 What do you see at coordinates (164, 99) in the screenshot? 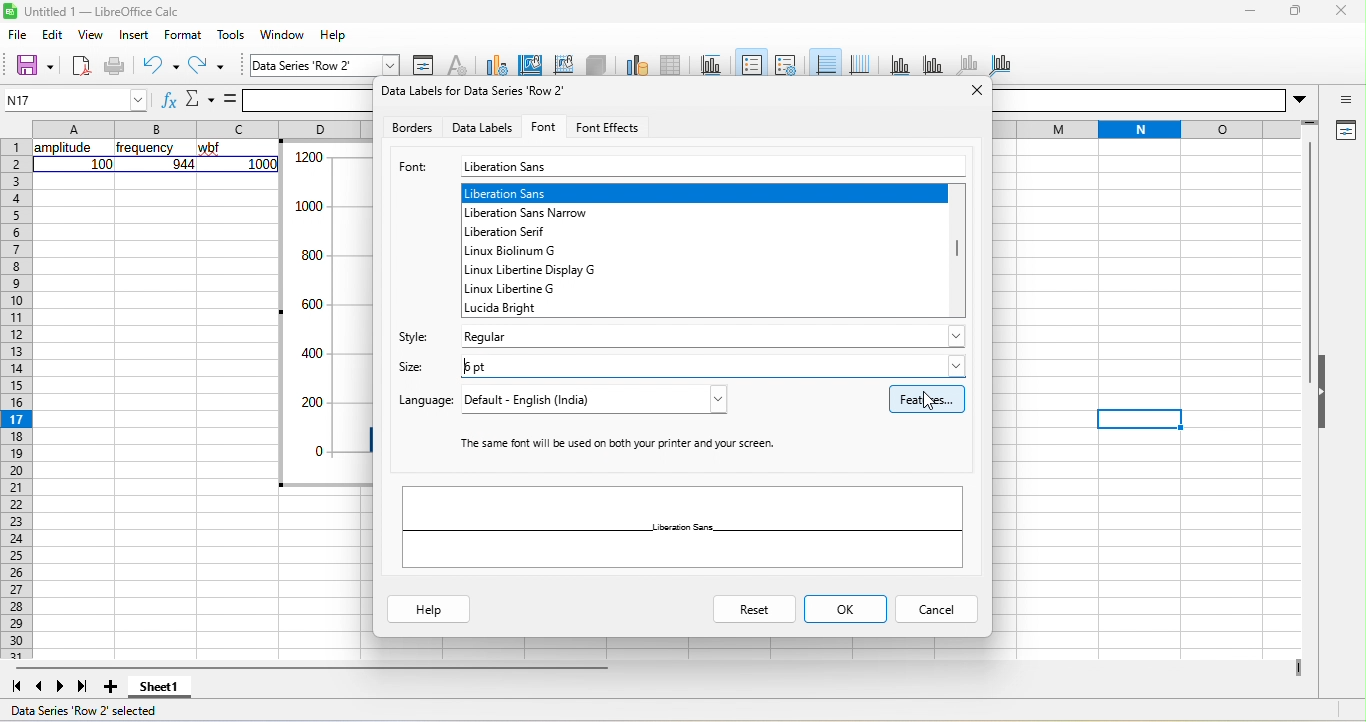
I see `function wizard` at bounding box center [164, 99].